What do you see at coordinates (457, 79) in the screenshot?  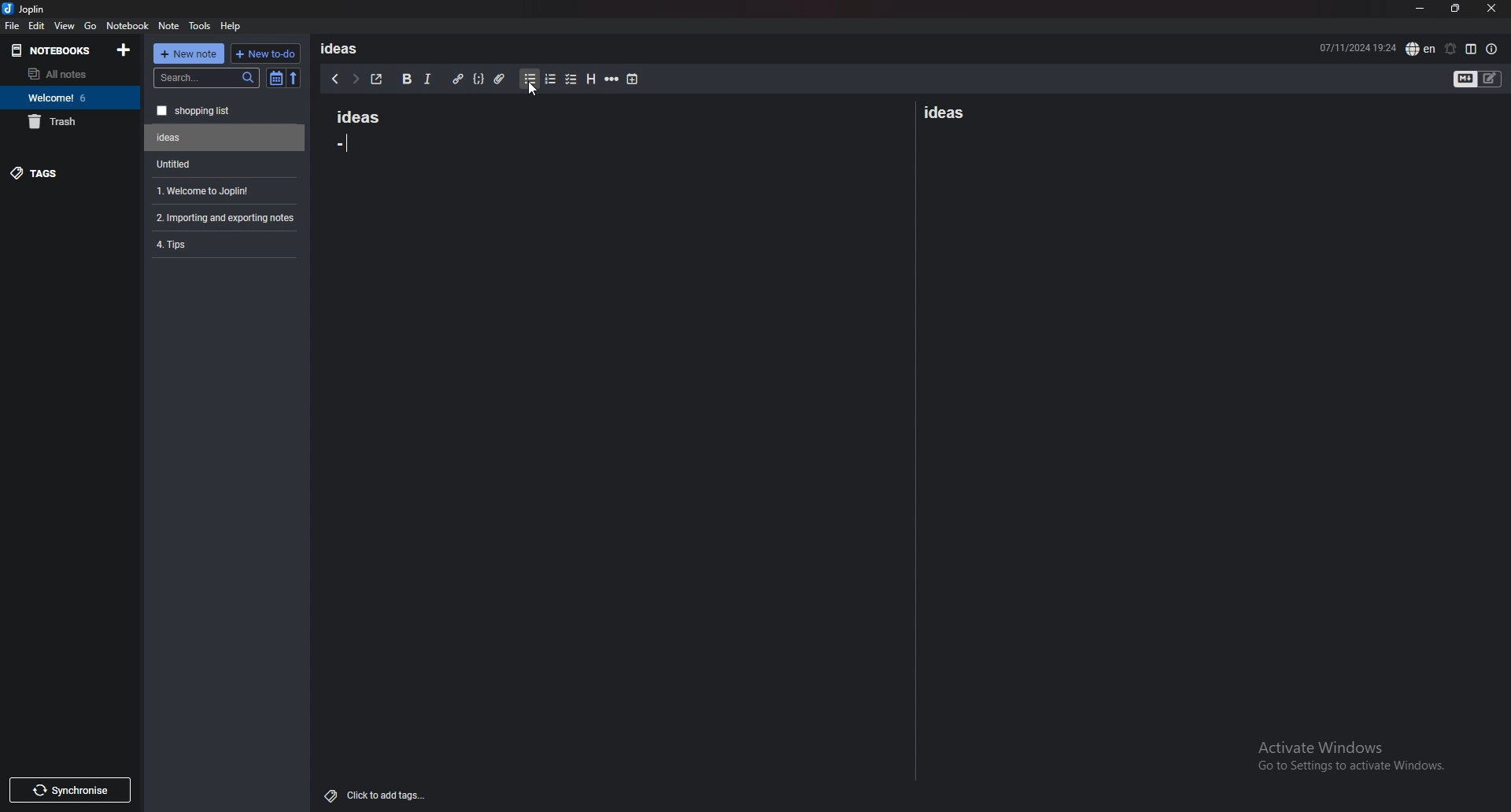 I see `hyperlink` at bounding box center [457, 79].